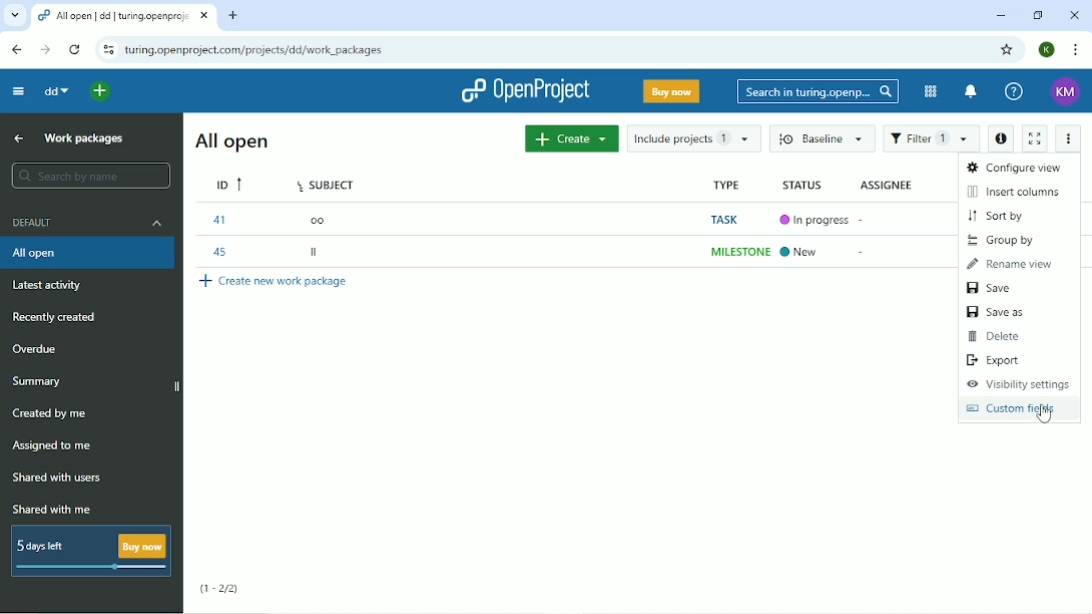 This screenshot has height=614, width=1092. Describe the element at coordinates (222, 253) in the screenshot. I see `45` at that location.